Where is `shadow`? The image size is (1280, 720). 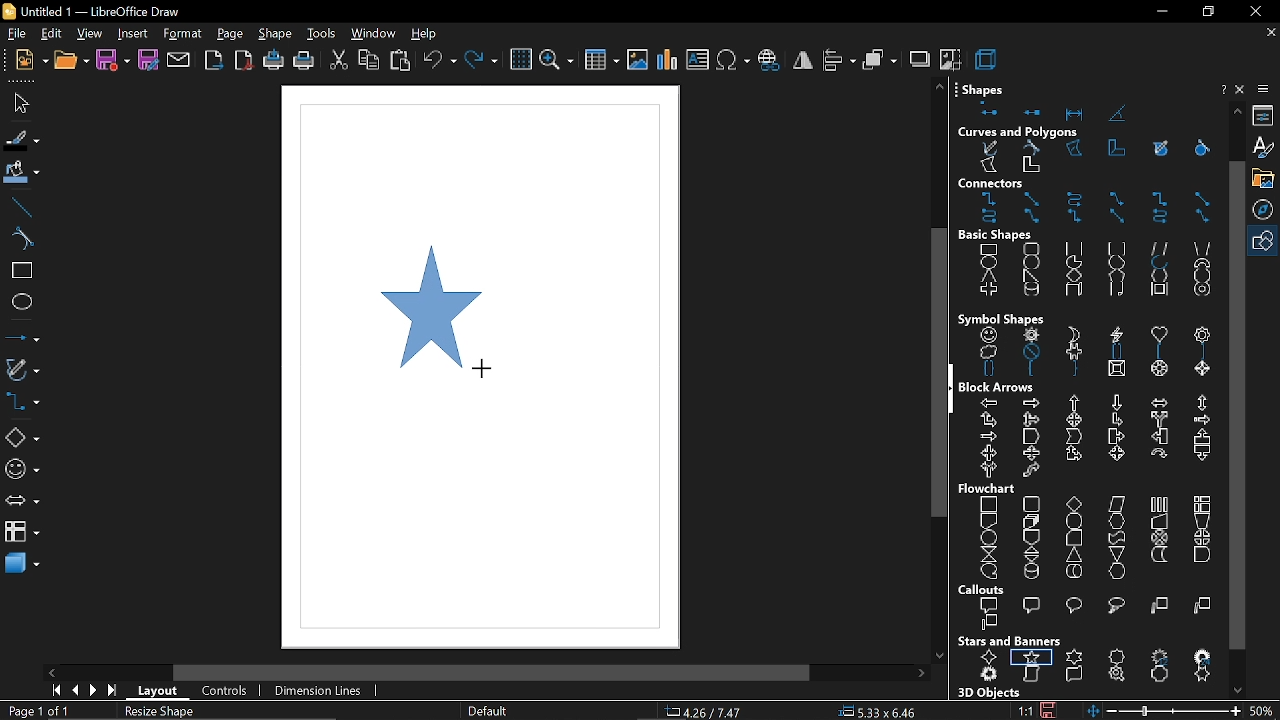
shadow is located at coordinates (920, 61).